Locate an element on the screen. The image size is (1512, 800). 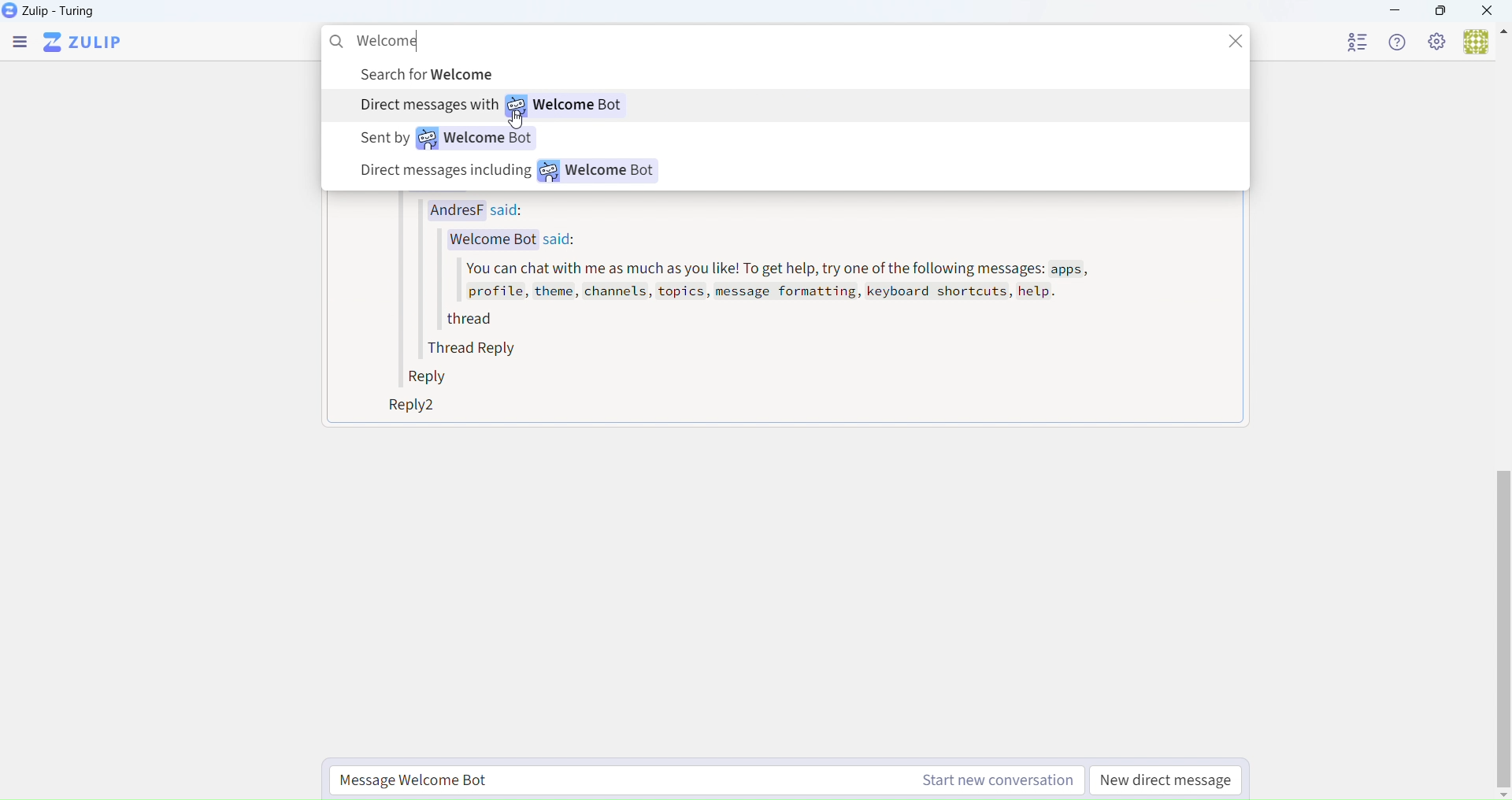
Zulip is located at coordinates (83, 45).